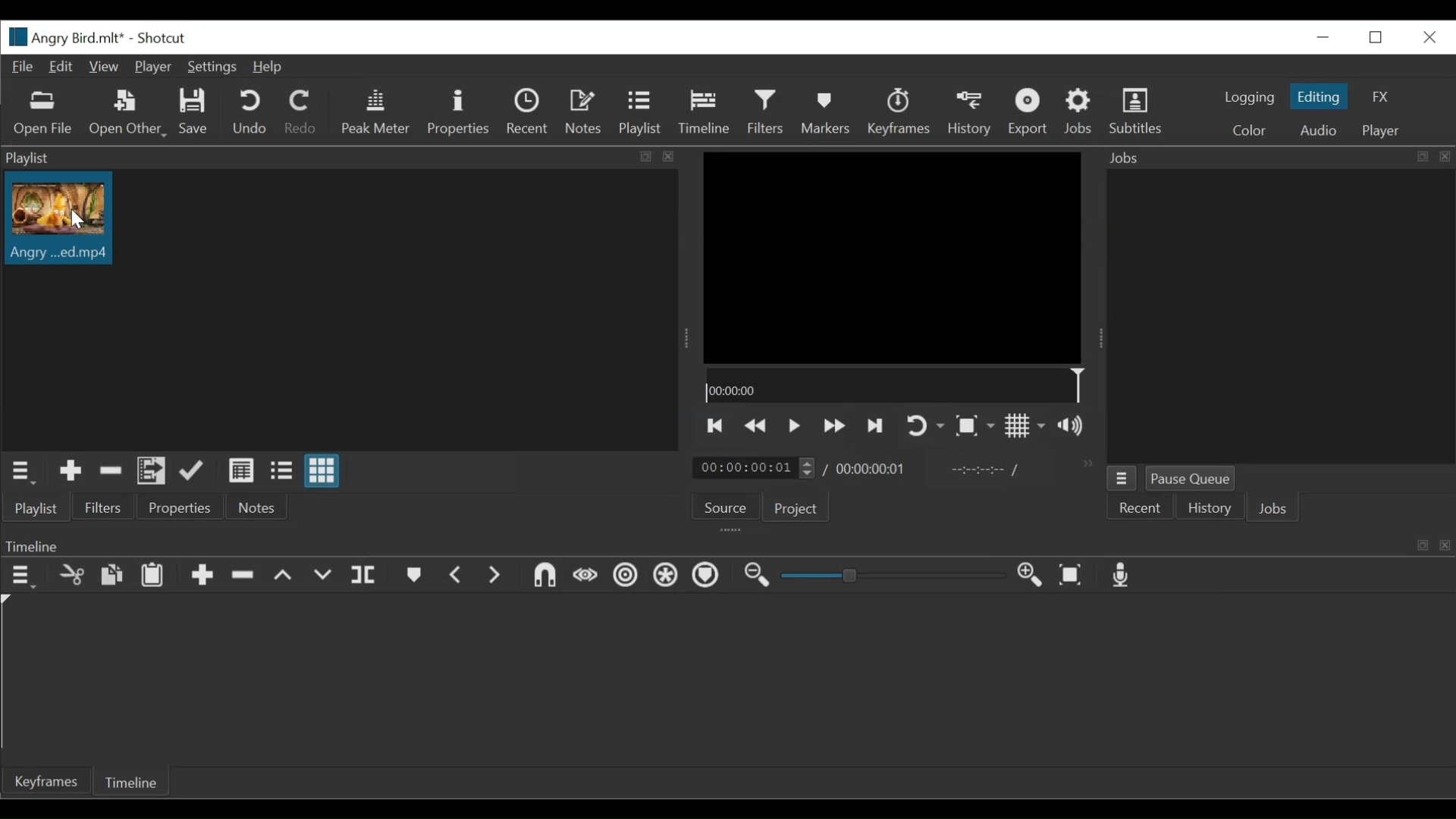 Image resolution: width=1456 pixels, height=819 pixels. I want to click on Zoom timeline out, so click(758, 576).